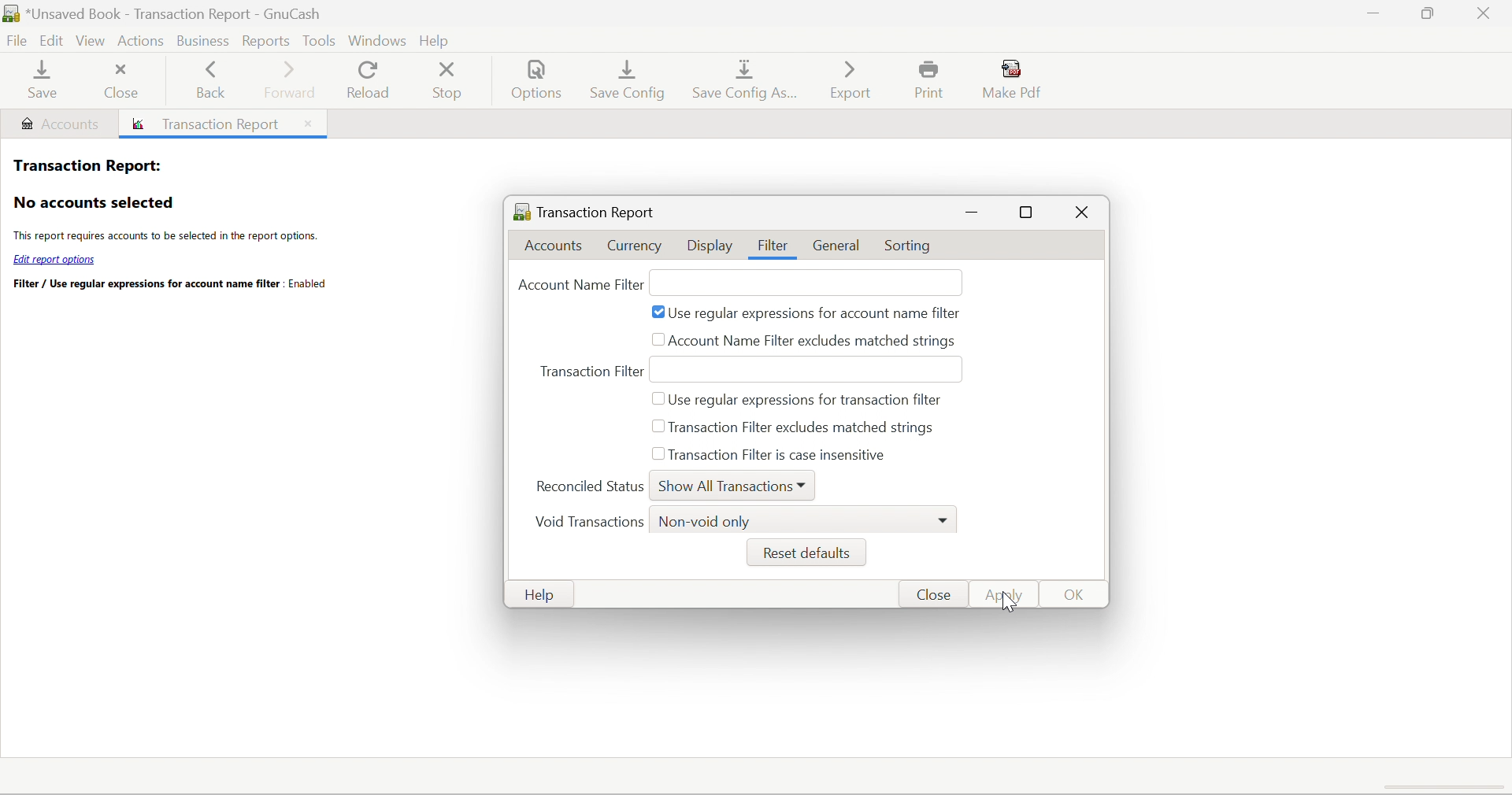 This screenshot has height=795, width=1512. Describe the element at coordinates (545, 595) in the screenshot. I see `Help` at that location.